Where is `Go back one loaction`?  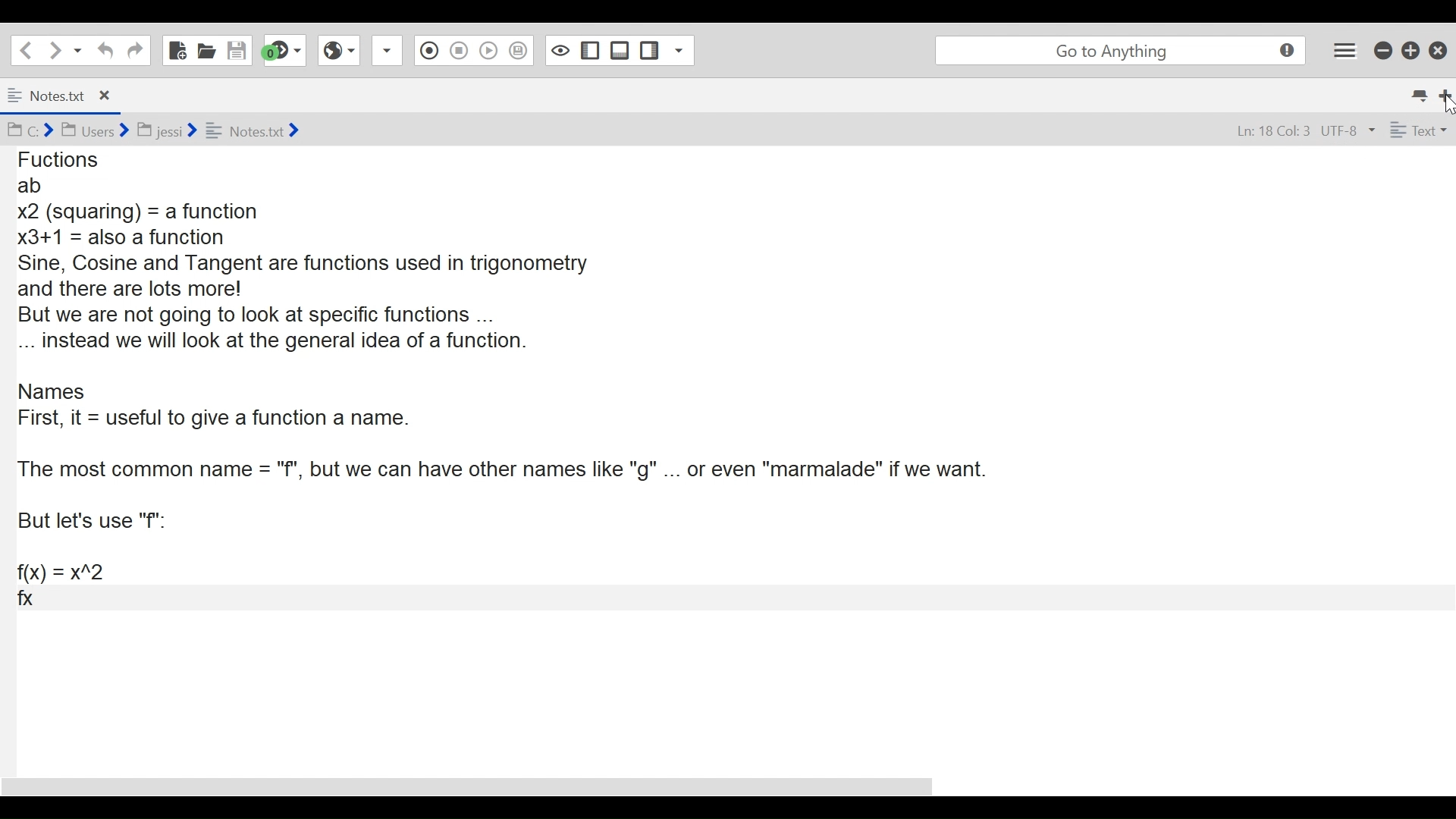 Go back one loaction is located at coordinates (25, 49).